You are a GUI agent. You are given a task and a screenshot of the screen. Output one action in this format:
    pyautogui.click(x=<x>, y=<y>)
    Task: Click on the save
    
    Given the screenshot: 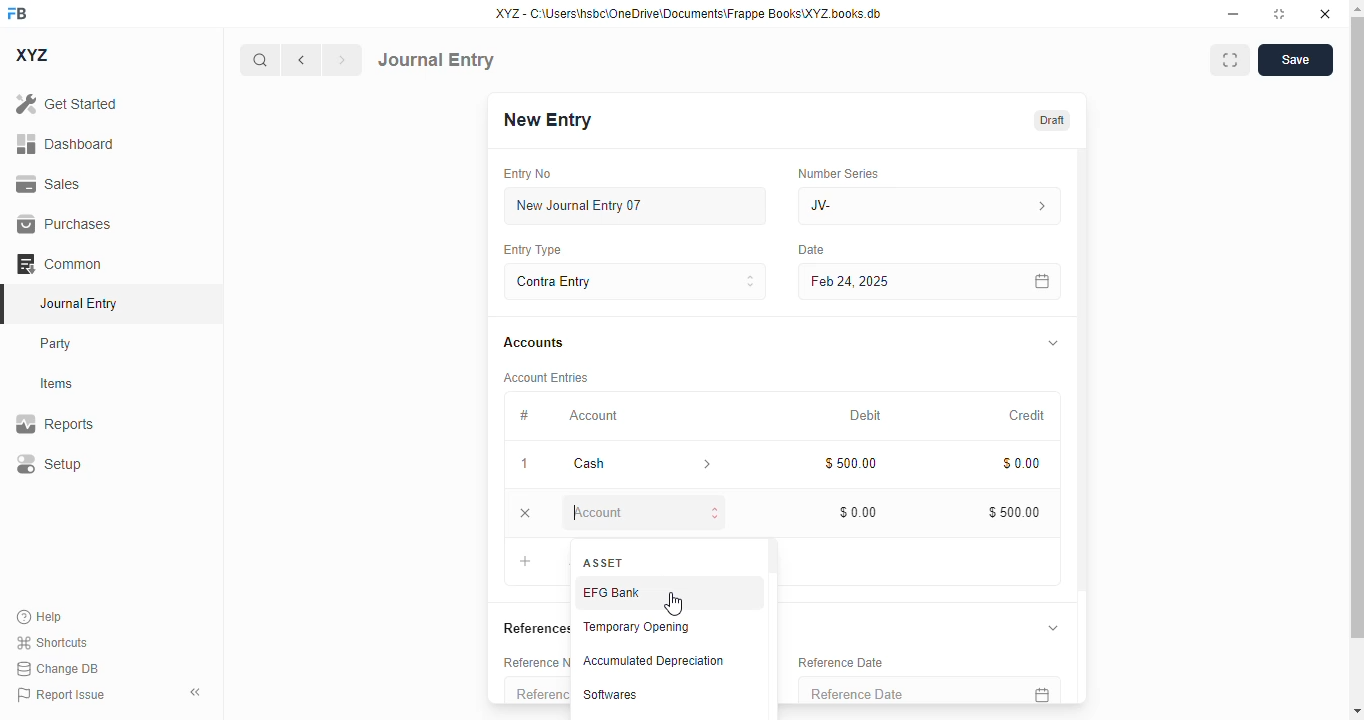 What is the action you would take?
    pyautogui.click(x=1295, y=60)
    